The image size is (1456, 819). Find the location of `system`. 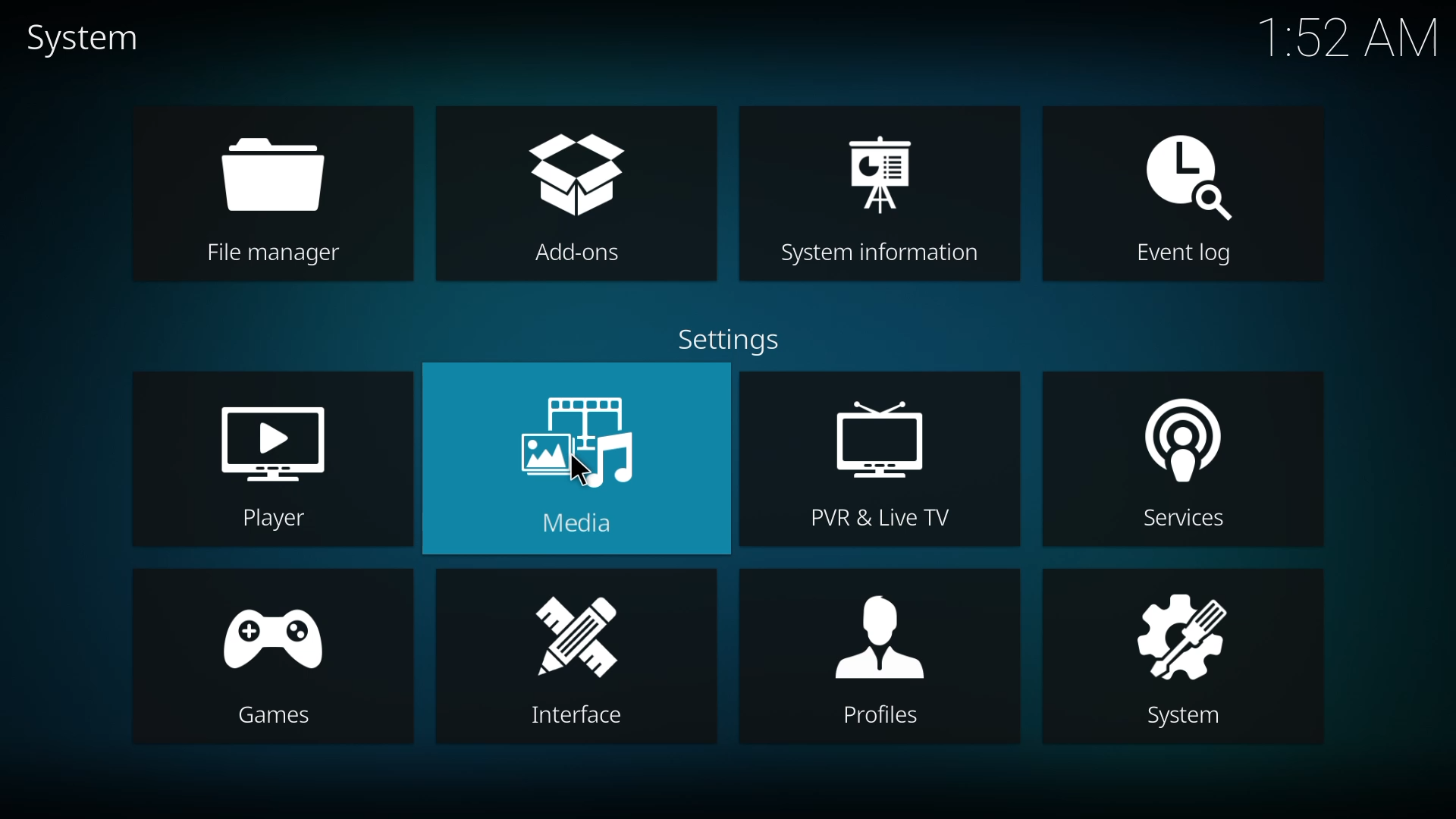

system is located at coordinates (1181, 654).